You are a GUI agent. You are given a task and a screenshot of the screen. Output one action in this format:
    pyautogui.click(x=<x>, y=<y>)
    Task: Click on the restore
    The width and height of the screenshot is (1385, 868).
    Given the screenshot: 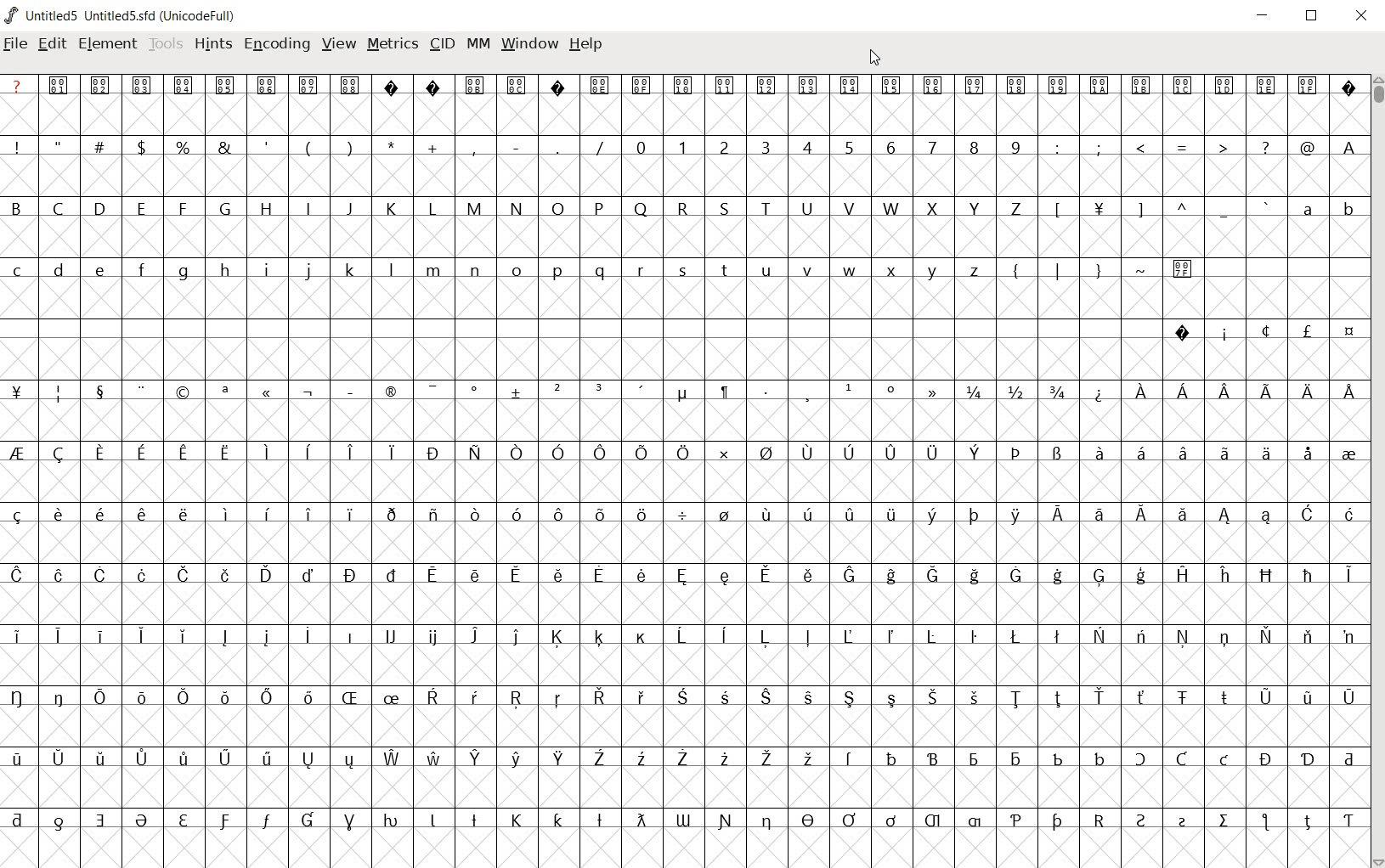 What is the action you would take?
    pyautogui.click(x=1310, y=17)
    